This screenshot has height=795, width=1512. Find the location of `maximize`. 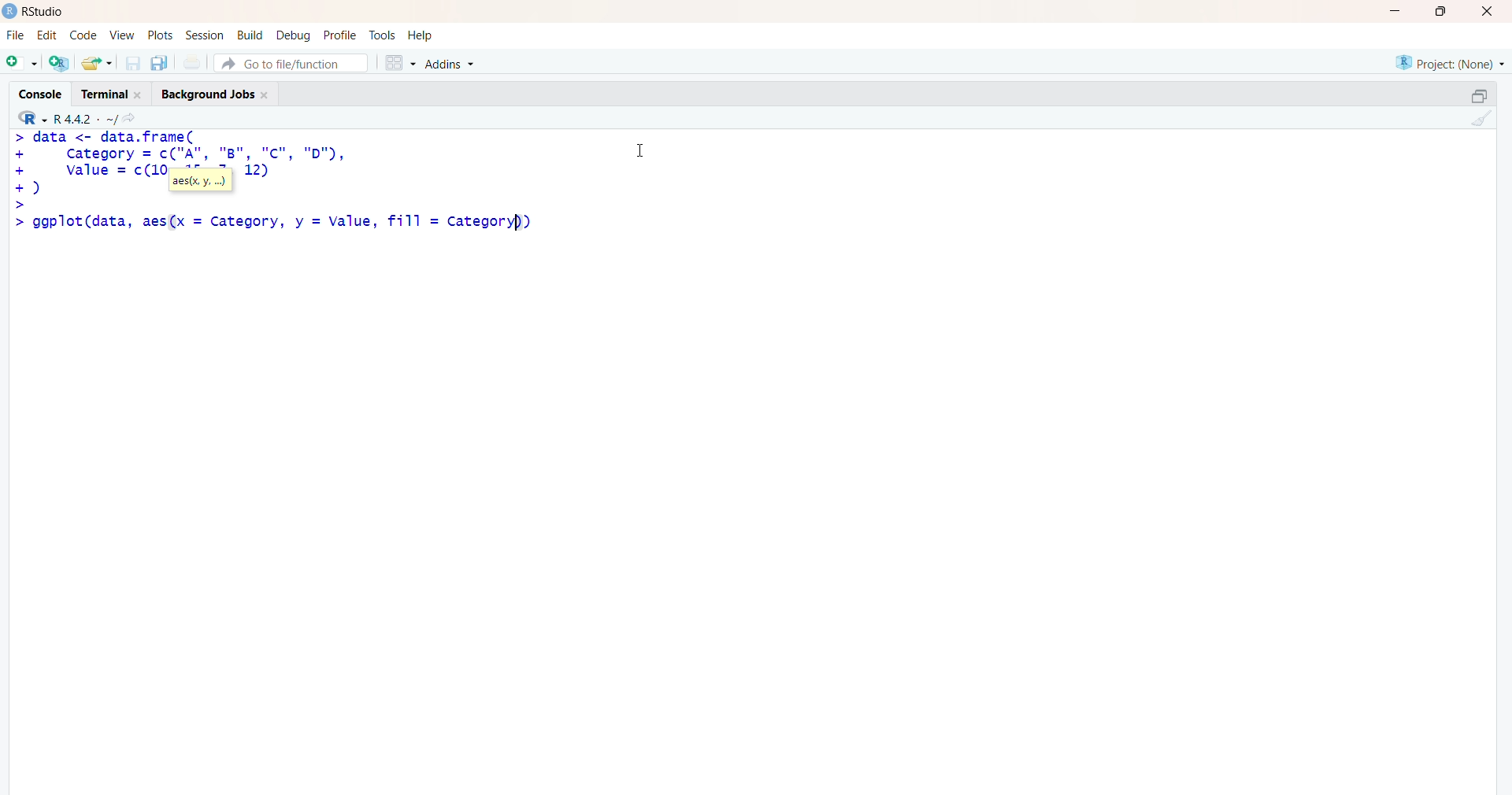

maximize is located at coordinates (1446, 11).